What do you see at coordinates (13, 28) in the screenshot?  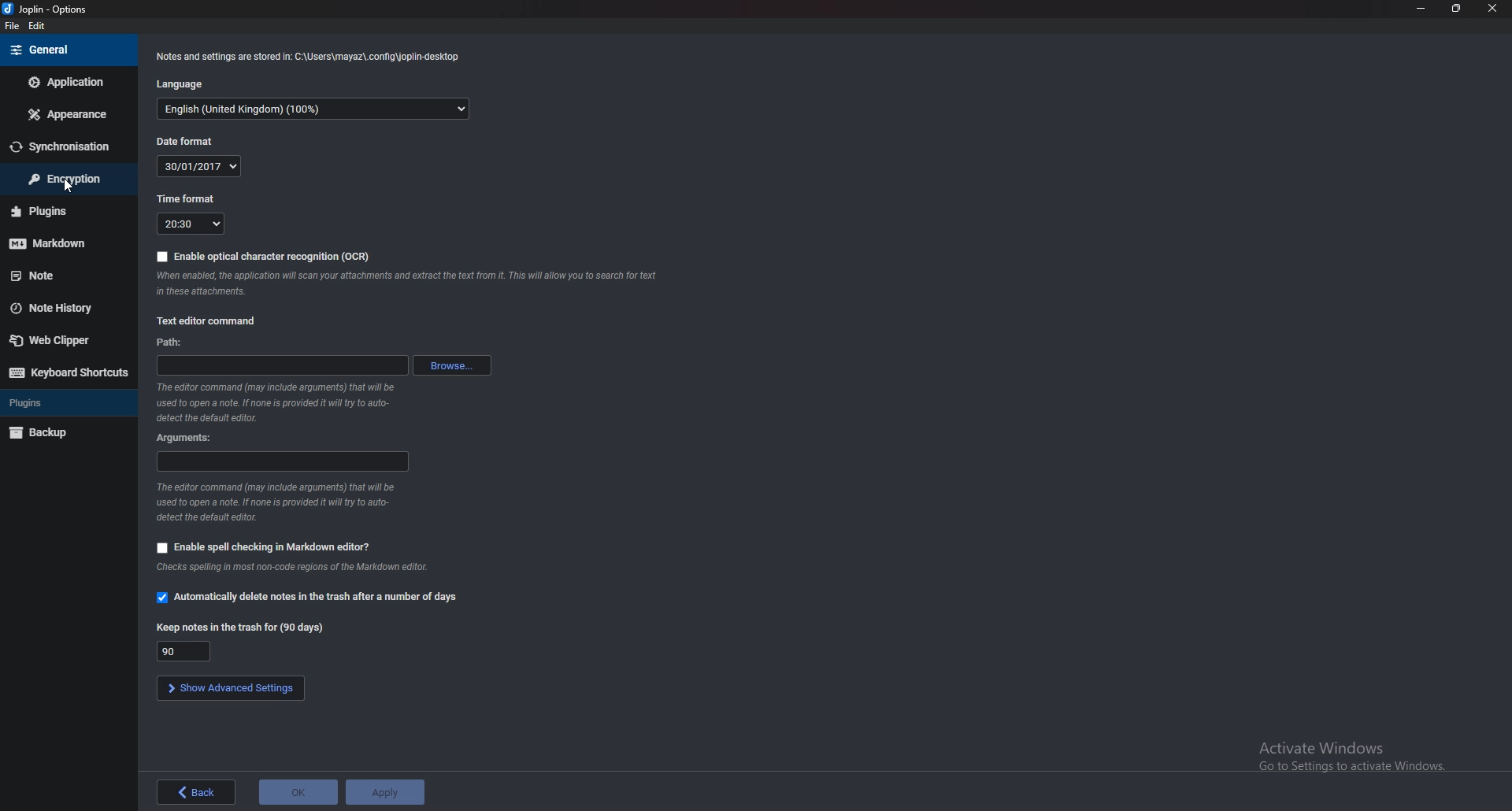 I see `file` at bounding box center [13, 28].